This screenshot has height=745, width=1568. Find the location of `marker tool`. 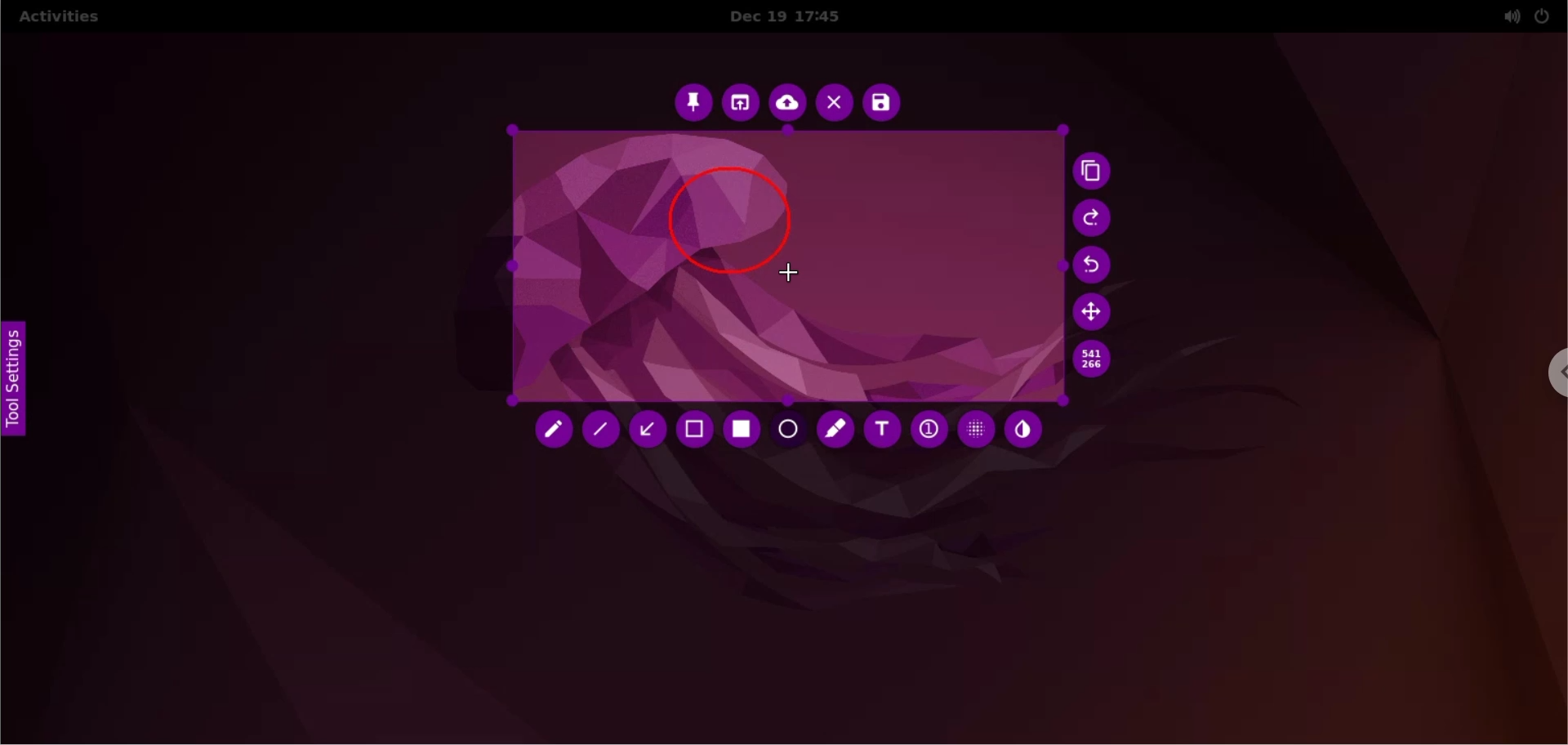

marker tool is located at coordinates (837, 431).